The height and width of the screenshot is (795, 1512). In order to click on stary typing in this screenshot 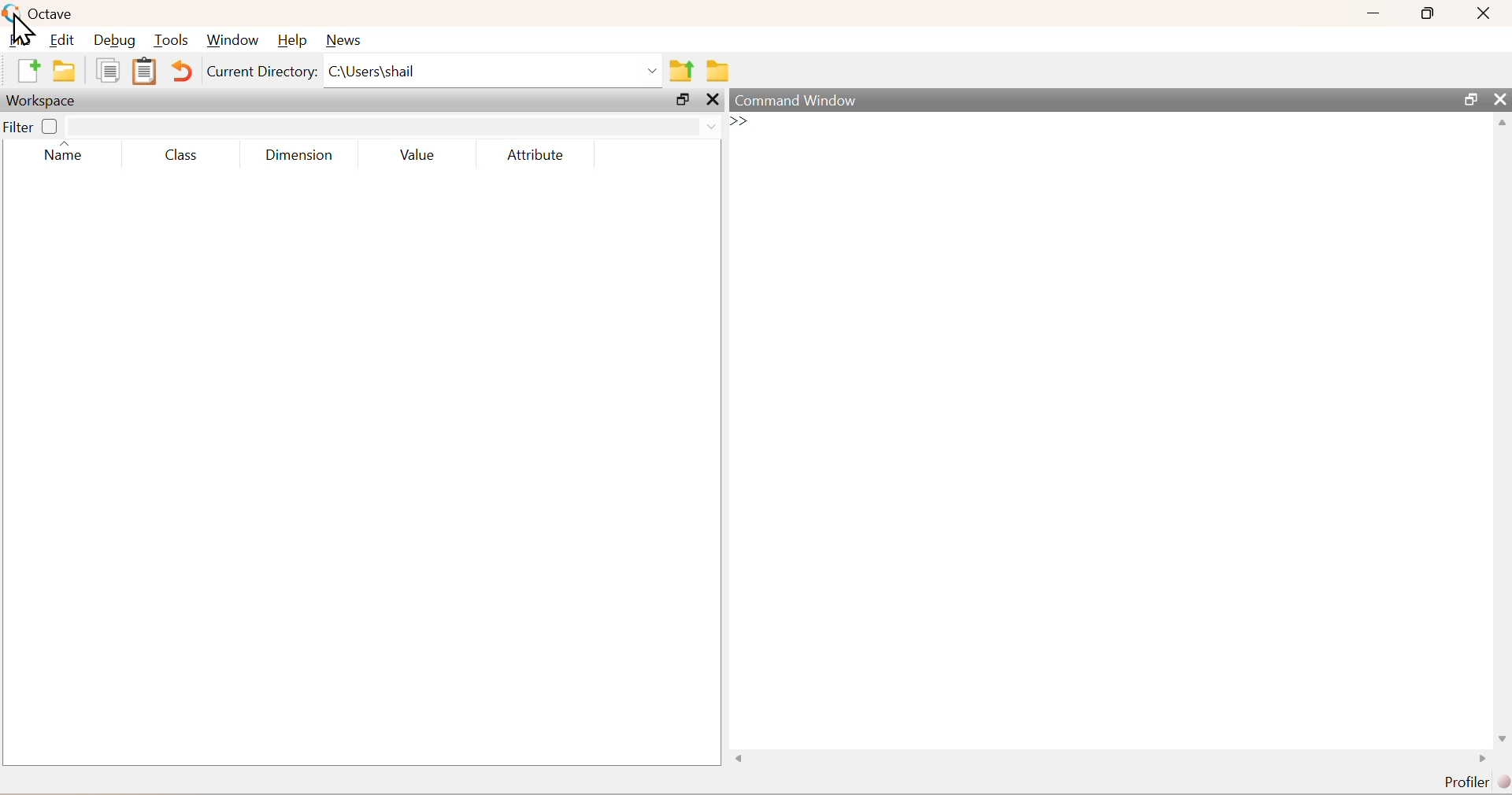, I will do `click(745, 121)`.